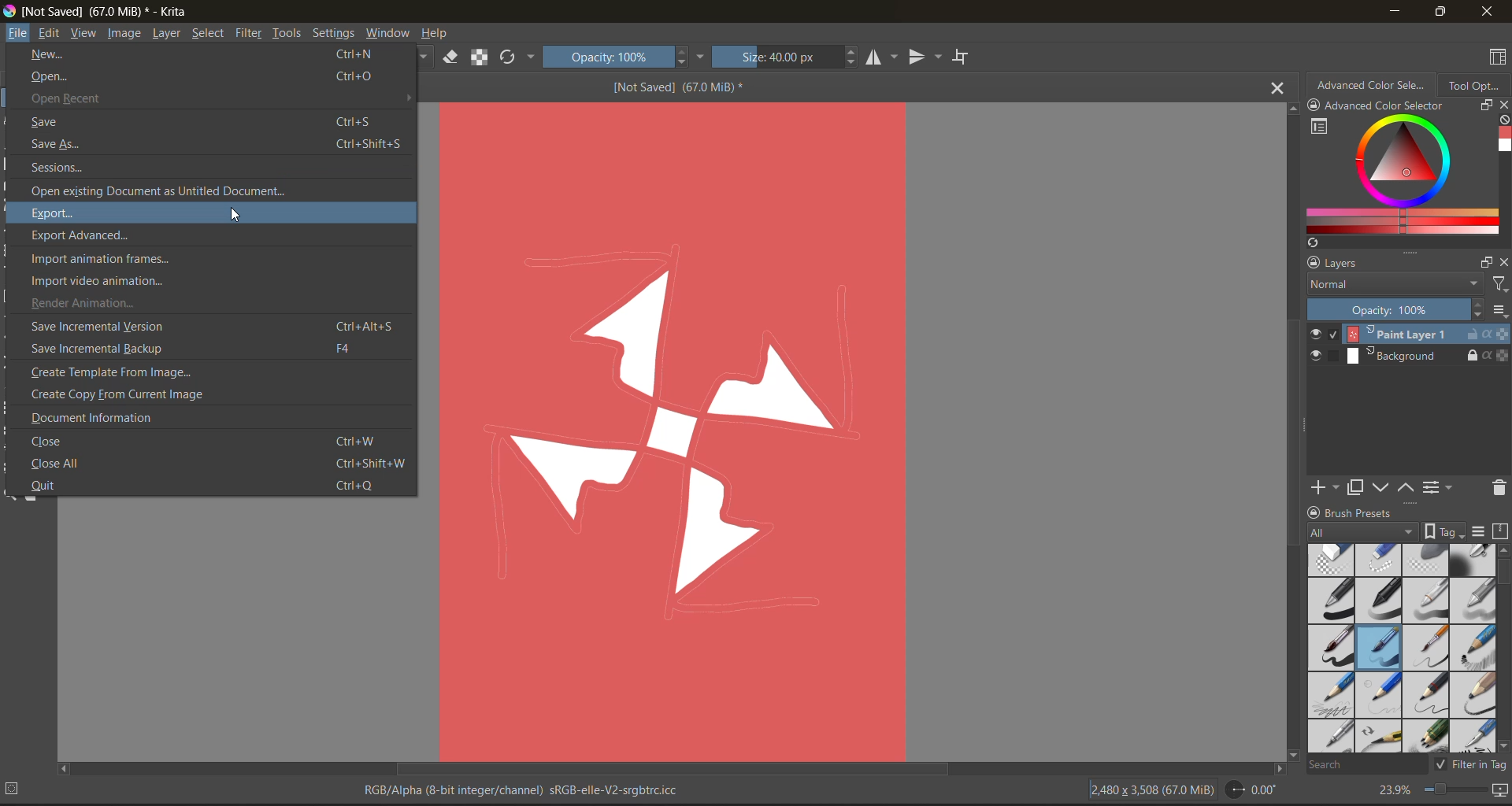  What do you see at coordinates (182, 235) in the screenshot?
I see `export advanced` at bounding box center [182, 235].